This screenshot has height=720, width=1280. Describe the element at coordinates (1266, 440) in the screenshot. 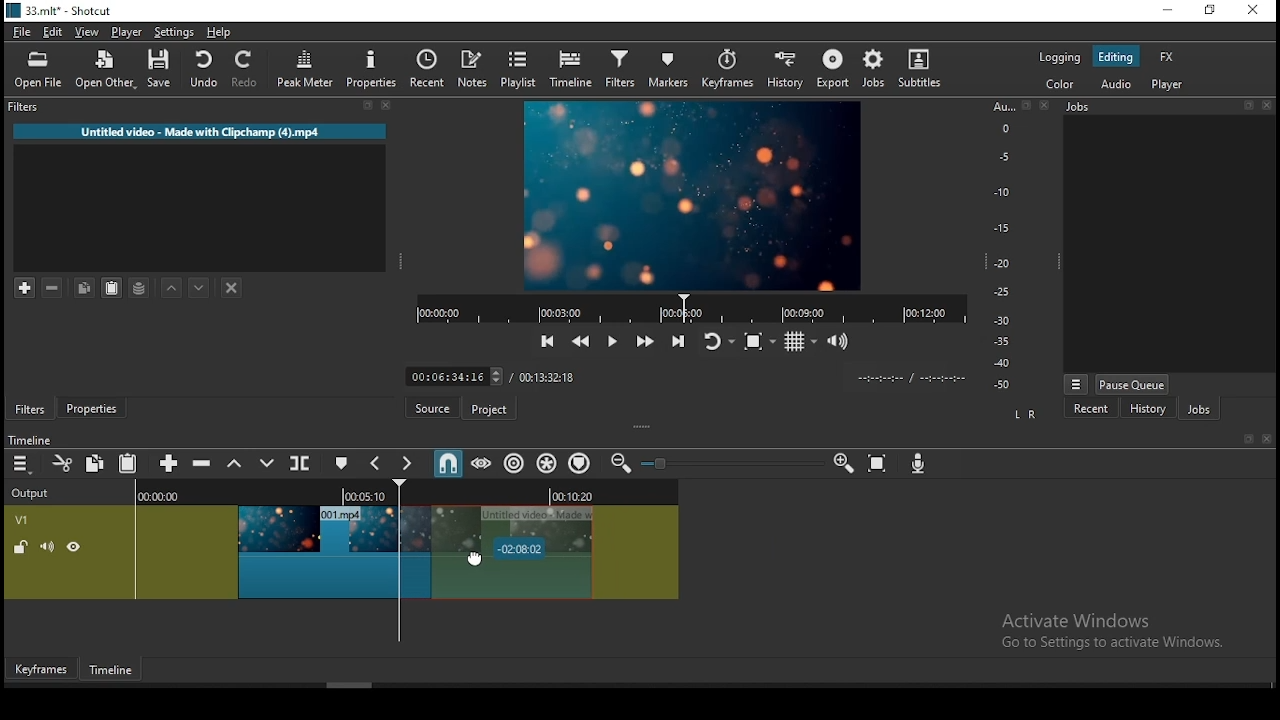

I see `` at that location.